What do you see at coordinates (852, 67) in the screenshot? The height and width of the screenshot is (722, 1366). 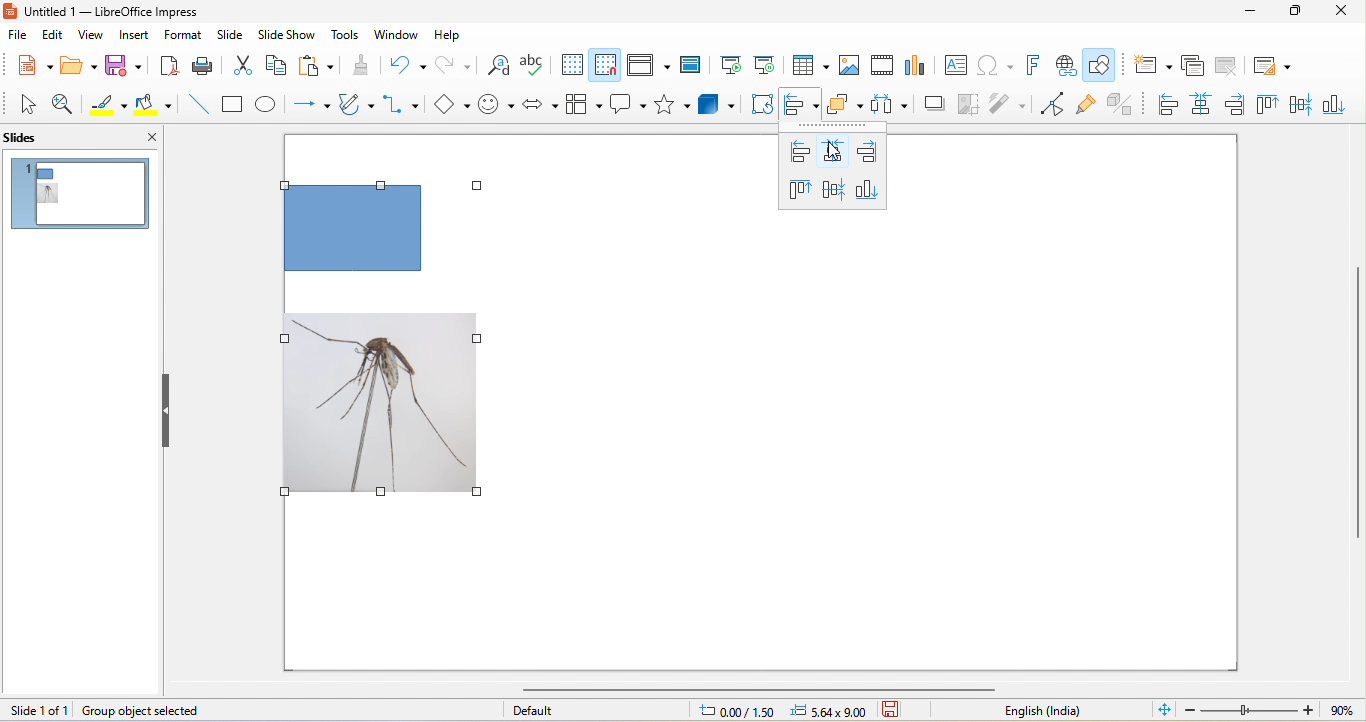 I see `image` at bounding box center [852, 67].